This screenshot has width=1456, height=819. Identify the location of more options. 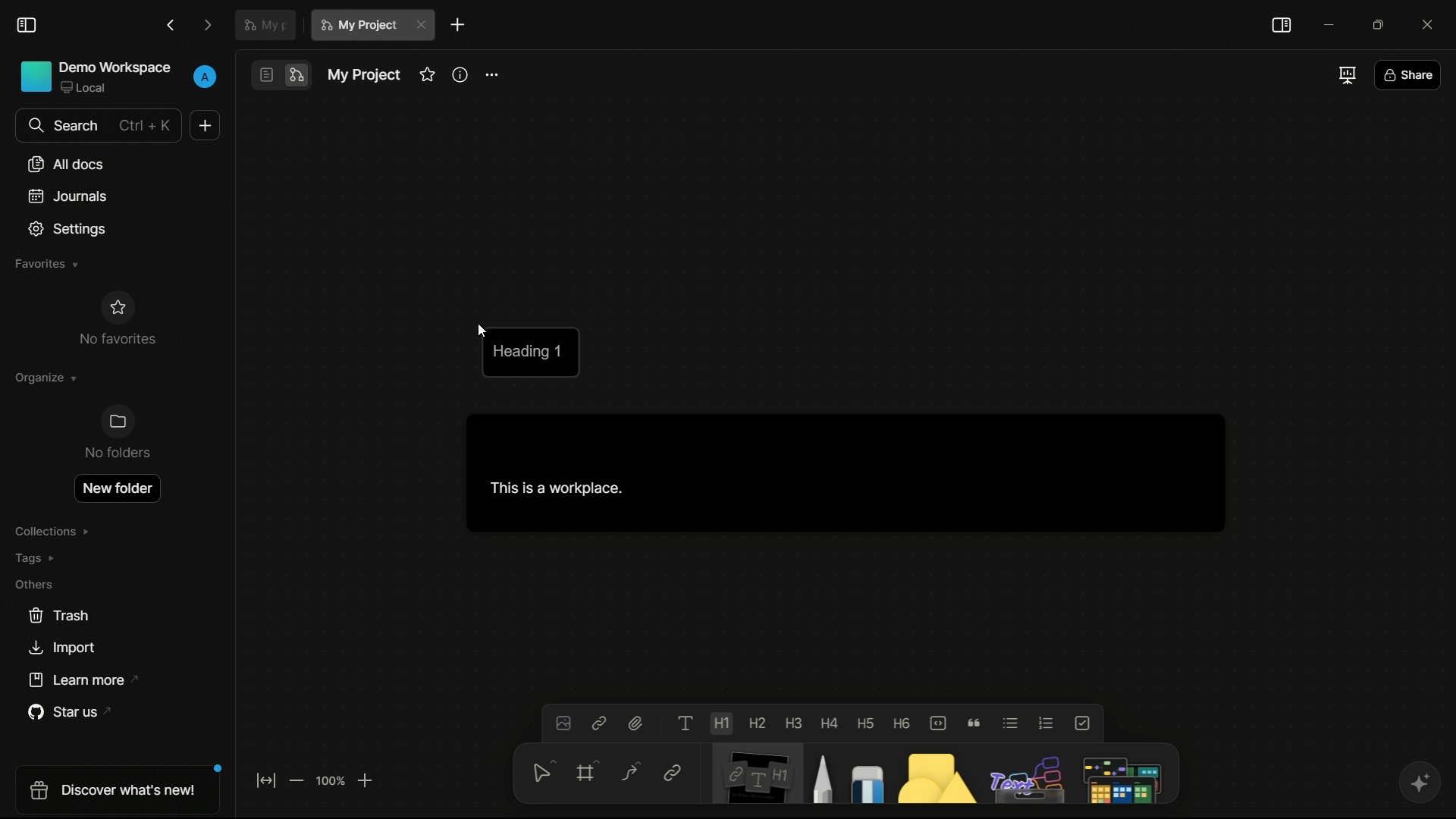
(491, 74).